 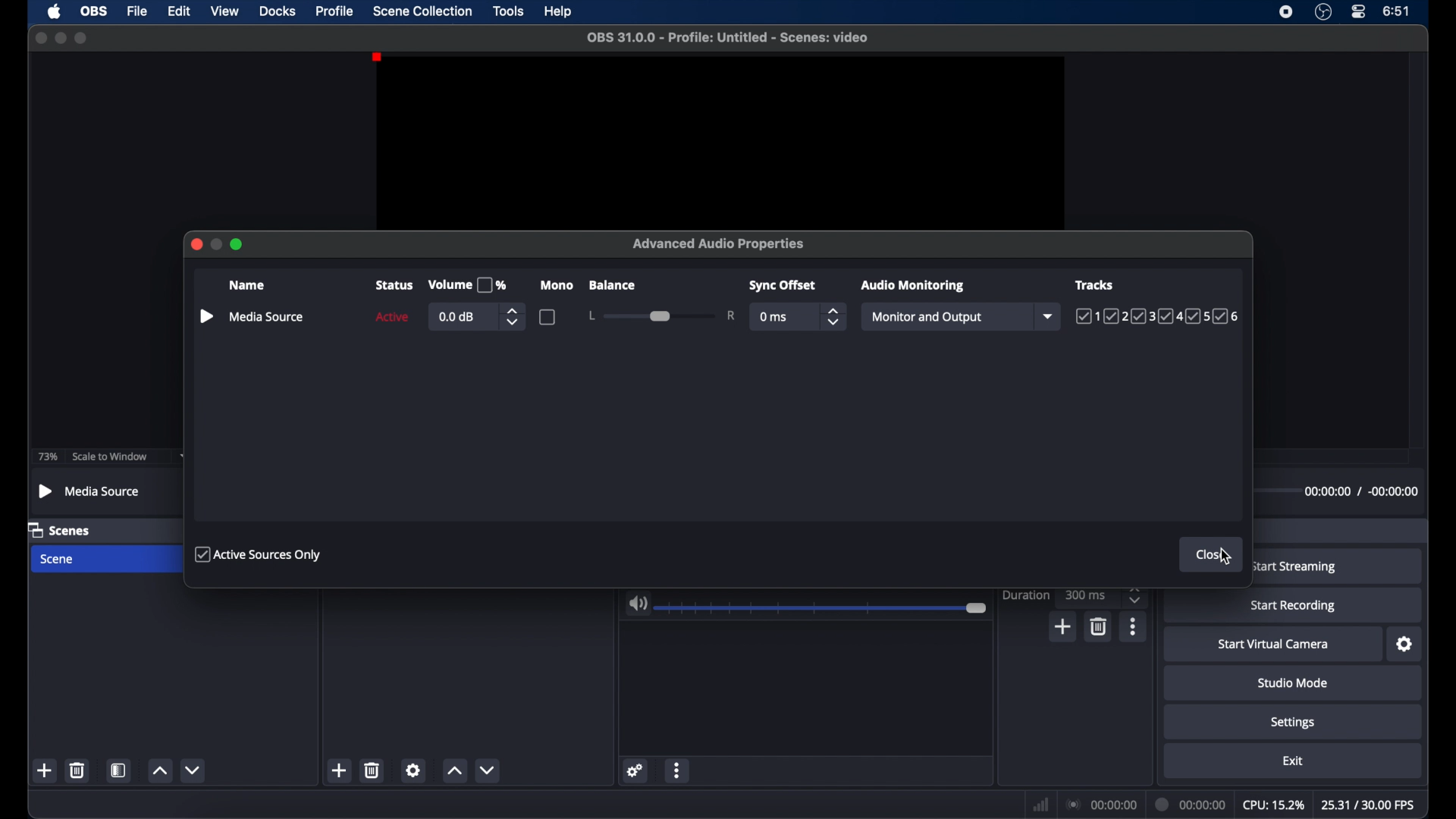 What do you see at coordinates (1274, 645) in the screenshot?
I see `start virtual camera` at bounding box center [1274, 645].